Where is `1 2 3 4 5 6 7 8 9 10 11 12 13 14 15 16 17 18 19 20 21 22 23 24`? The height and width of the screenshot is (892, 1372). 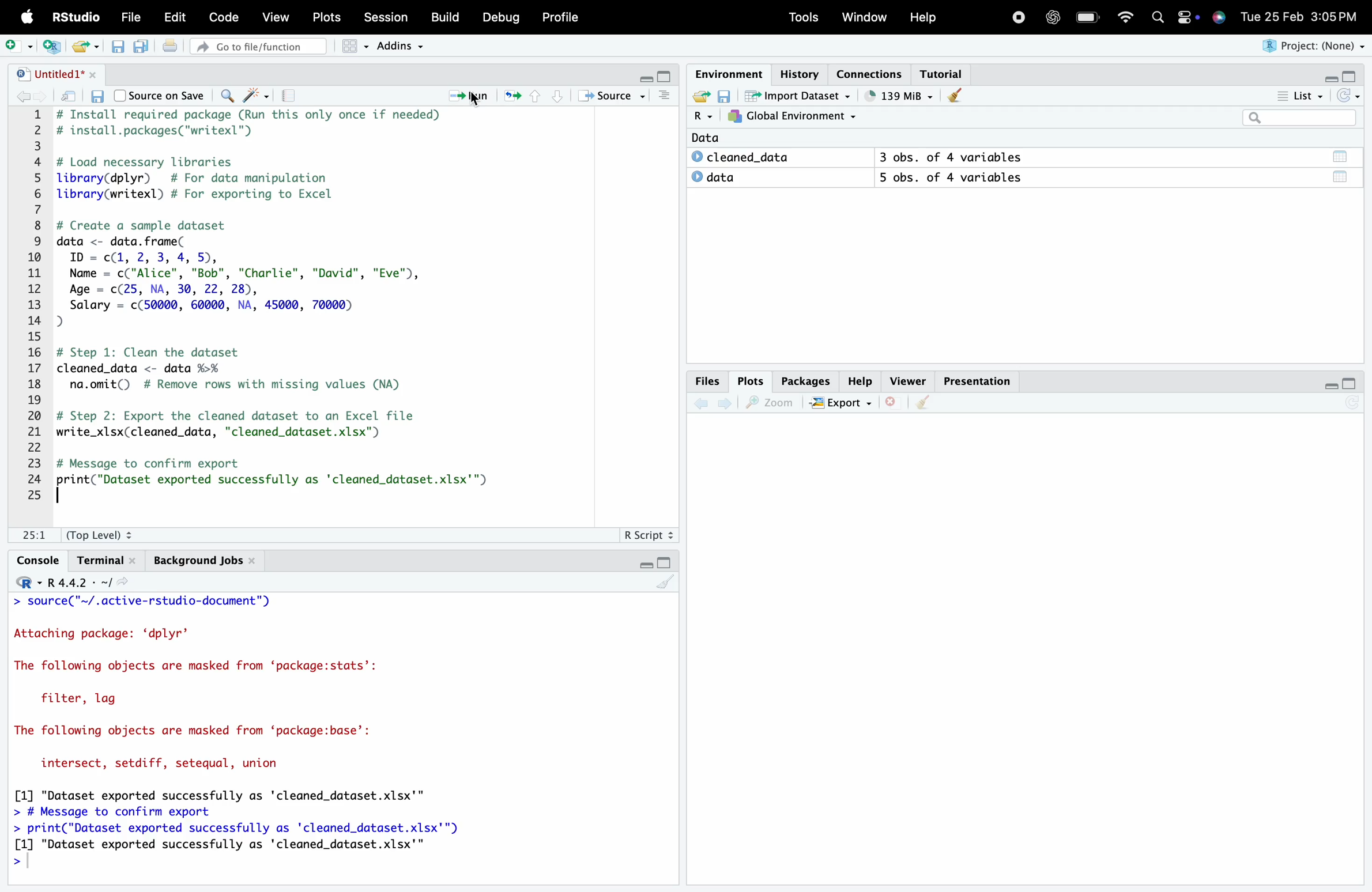 1 2 3 4 5 6 7 8 9 10 11 12 13 14 15 16 17 18 19 20 21 22 23 24 is located at coordinates (33, 300).